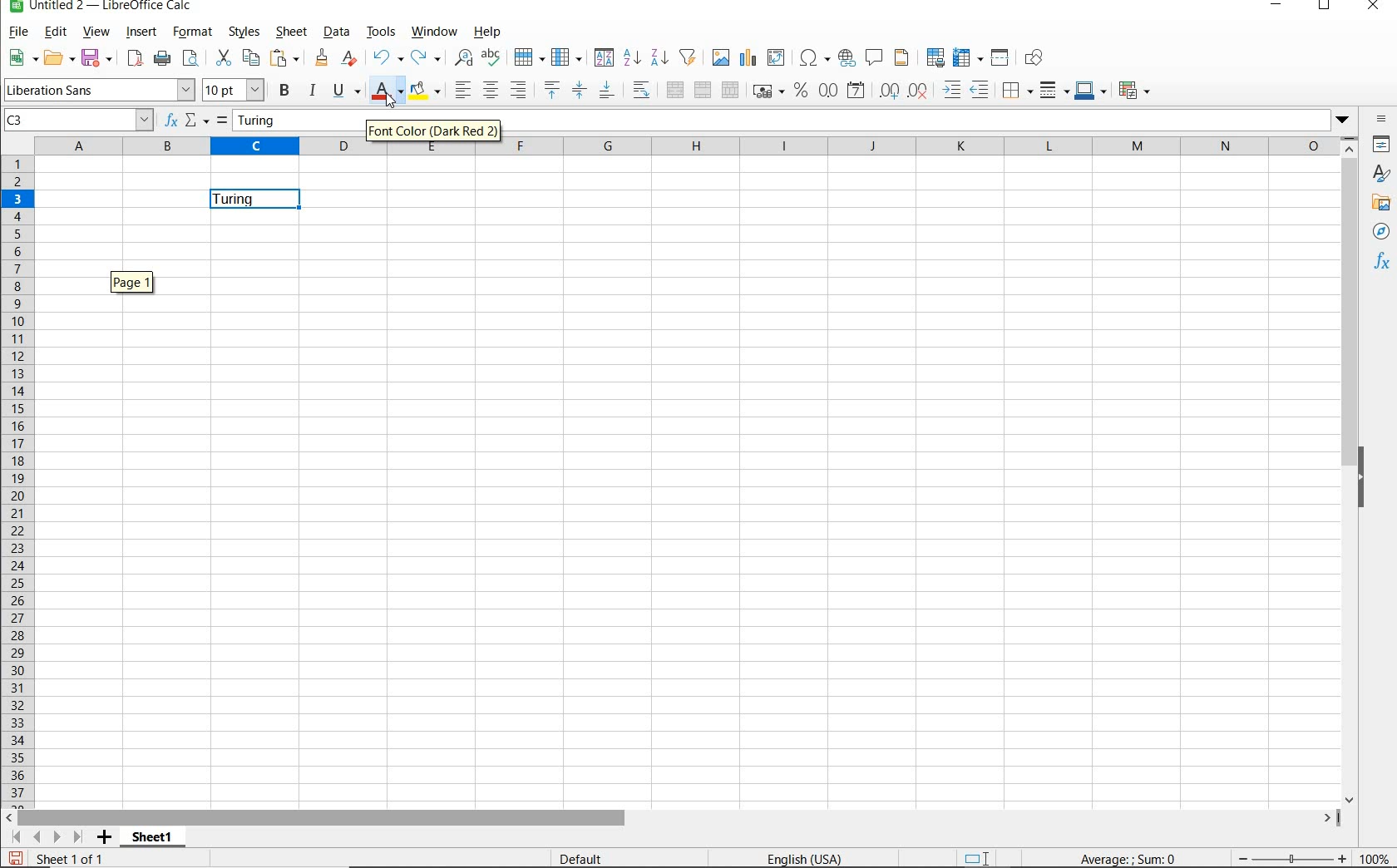 The height and width of the screenshot is (868, 1397). Describe the element at coordinates (492, 91) in the screenshot. I see `ALIGN CENTER` at that location.